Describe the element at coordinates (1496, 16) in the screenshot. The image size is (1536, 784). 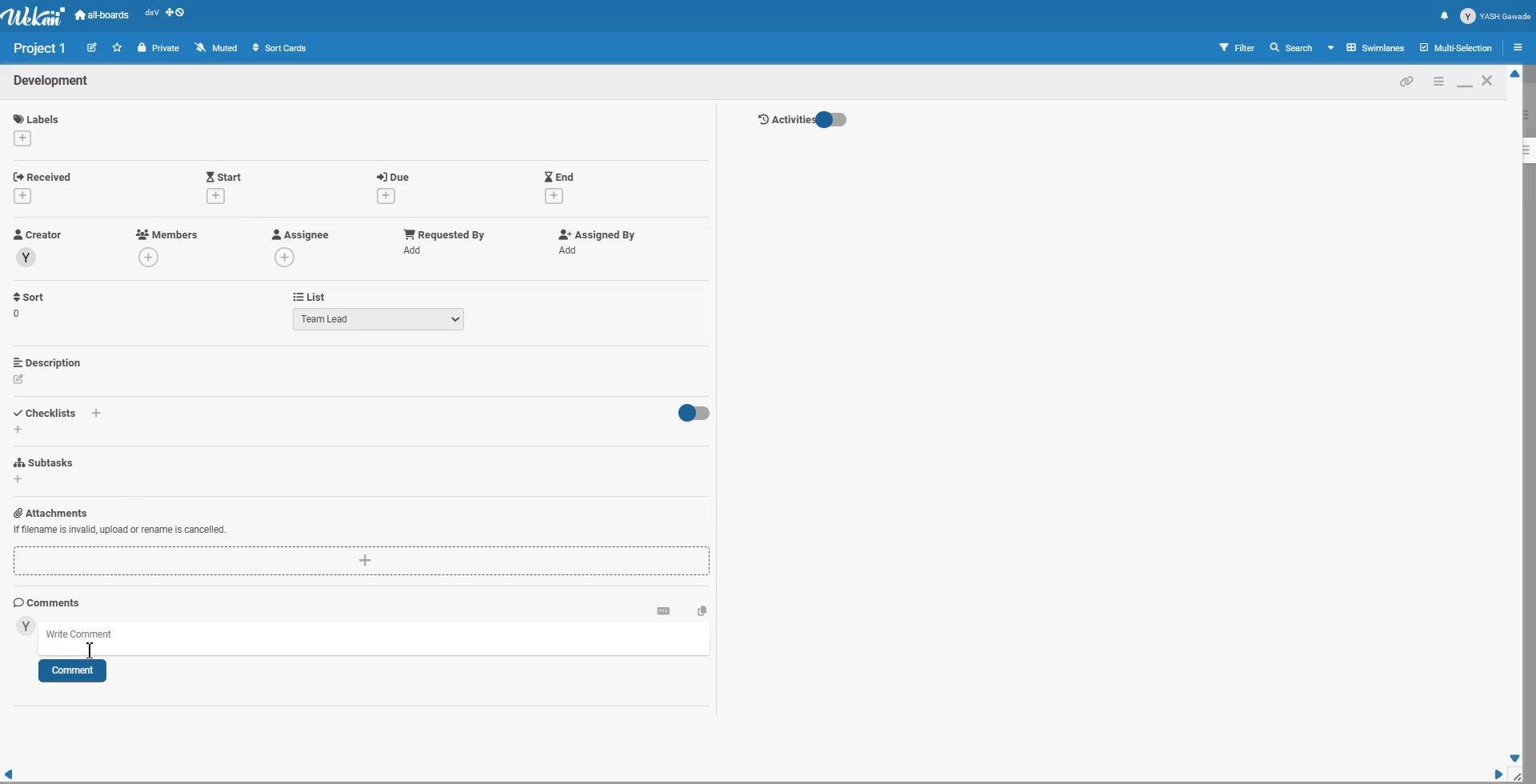
I see `Profile` at that location.